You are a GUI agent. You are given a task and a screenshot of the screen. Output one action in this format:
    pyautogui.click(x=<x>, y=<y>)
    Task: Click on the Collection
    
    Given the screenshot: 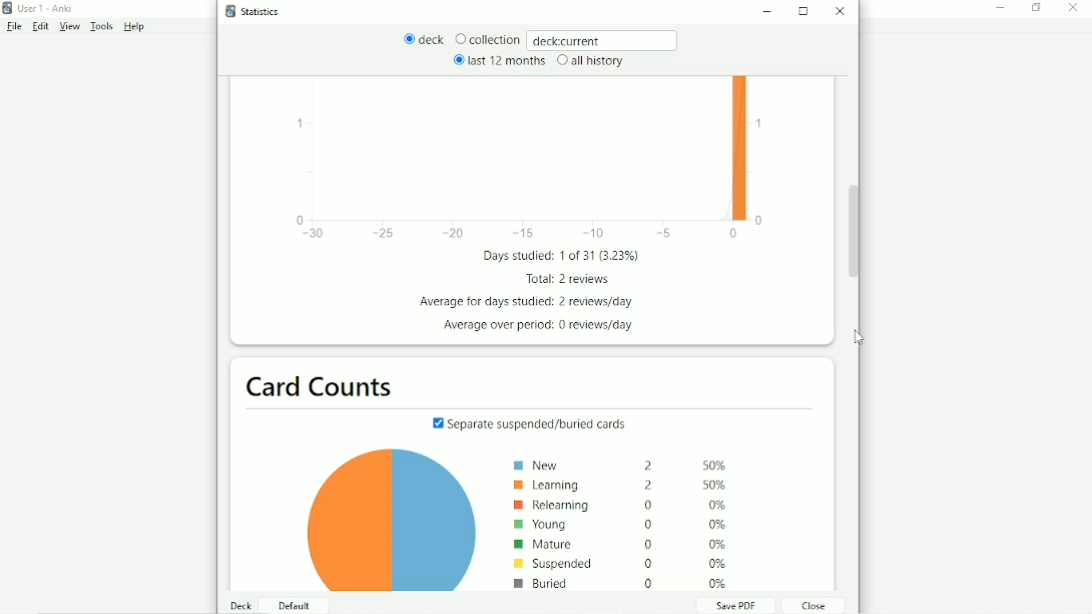 What is the action you would take?
    pyautogui.click(x=487, y=40)
    